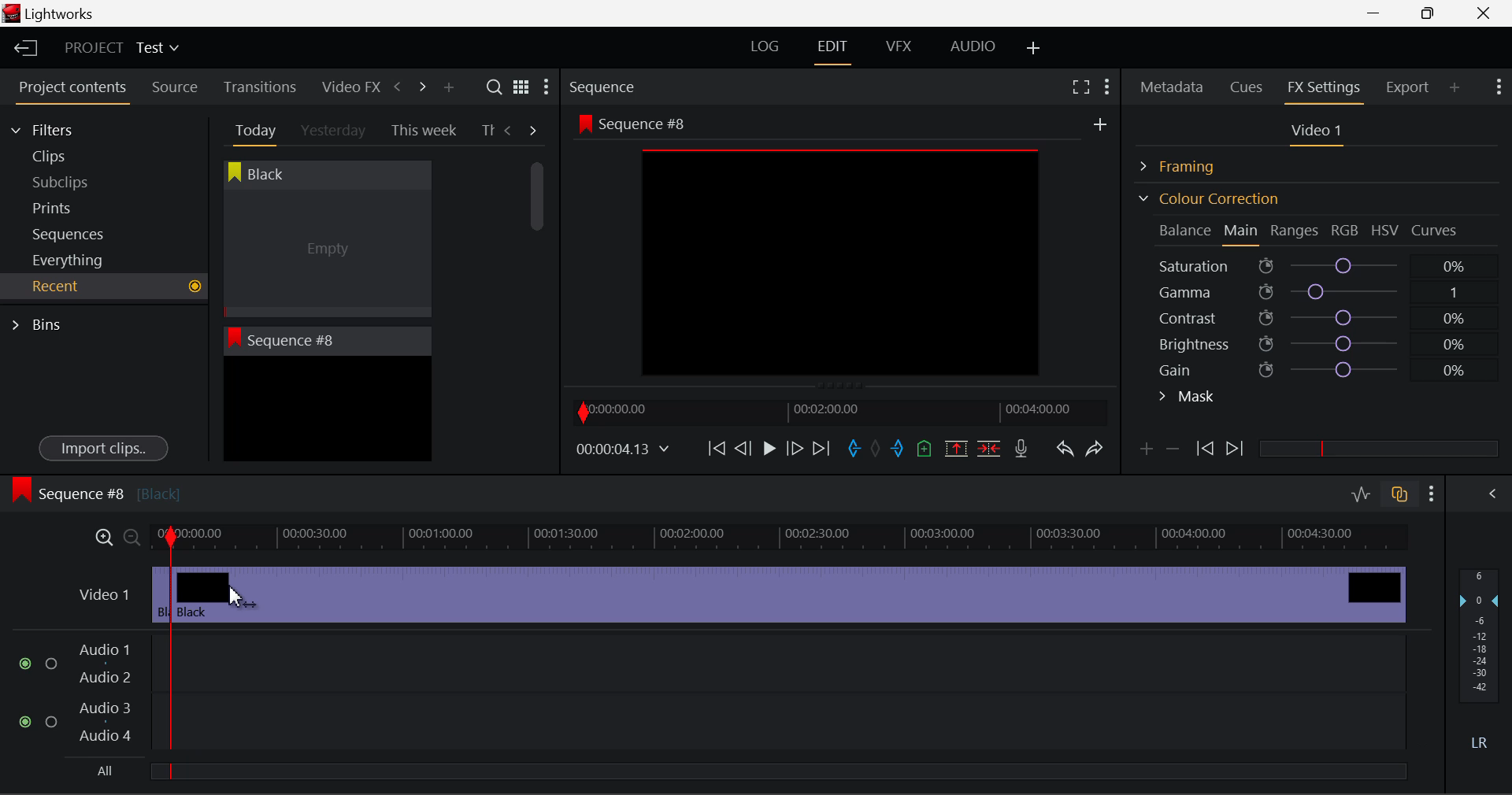  What do you see at coordinates (902, 48) in the screenshot?
I see `VFX Layout` at bounding box center [902, 48].